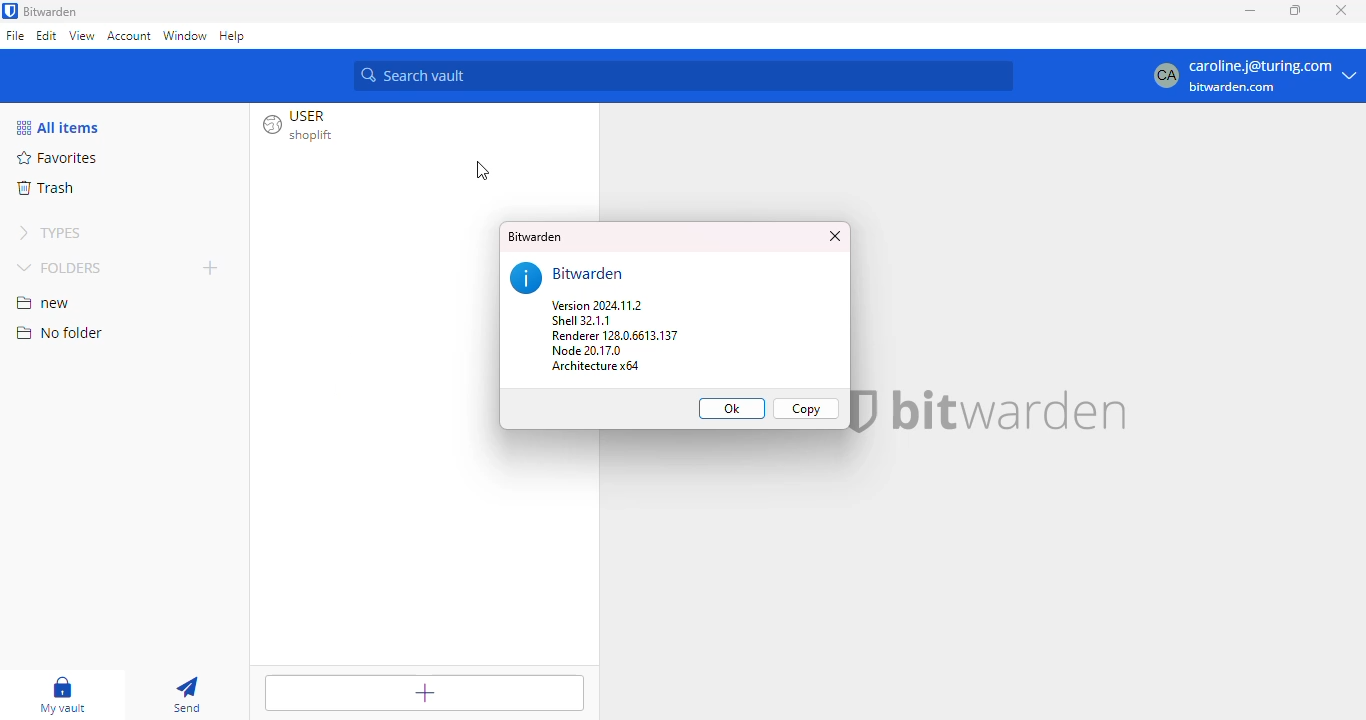 The image size is (1366, 720). I want to click on add item, so click(423, 693).